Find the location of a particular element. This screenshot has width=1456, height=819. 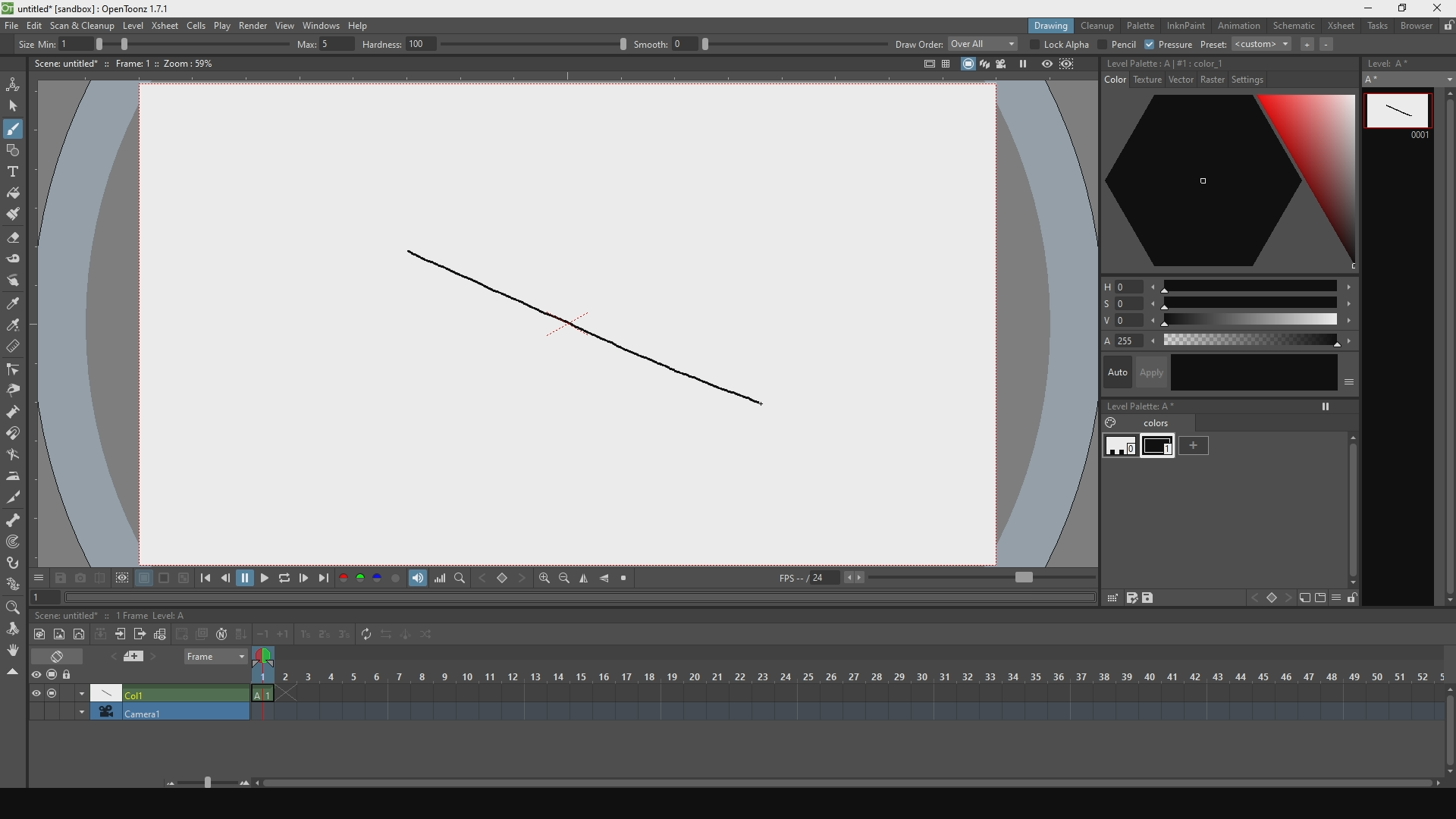

drawing is located at coordinates (1042, 27).